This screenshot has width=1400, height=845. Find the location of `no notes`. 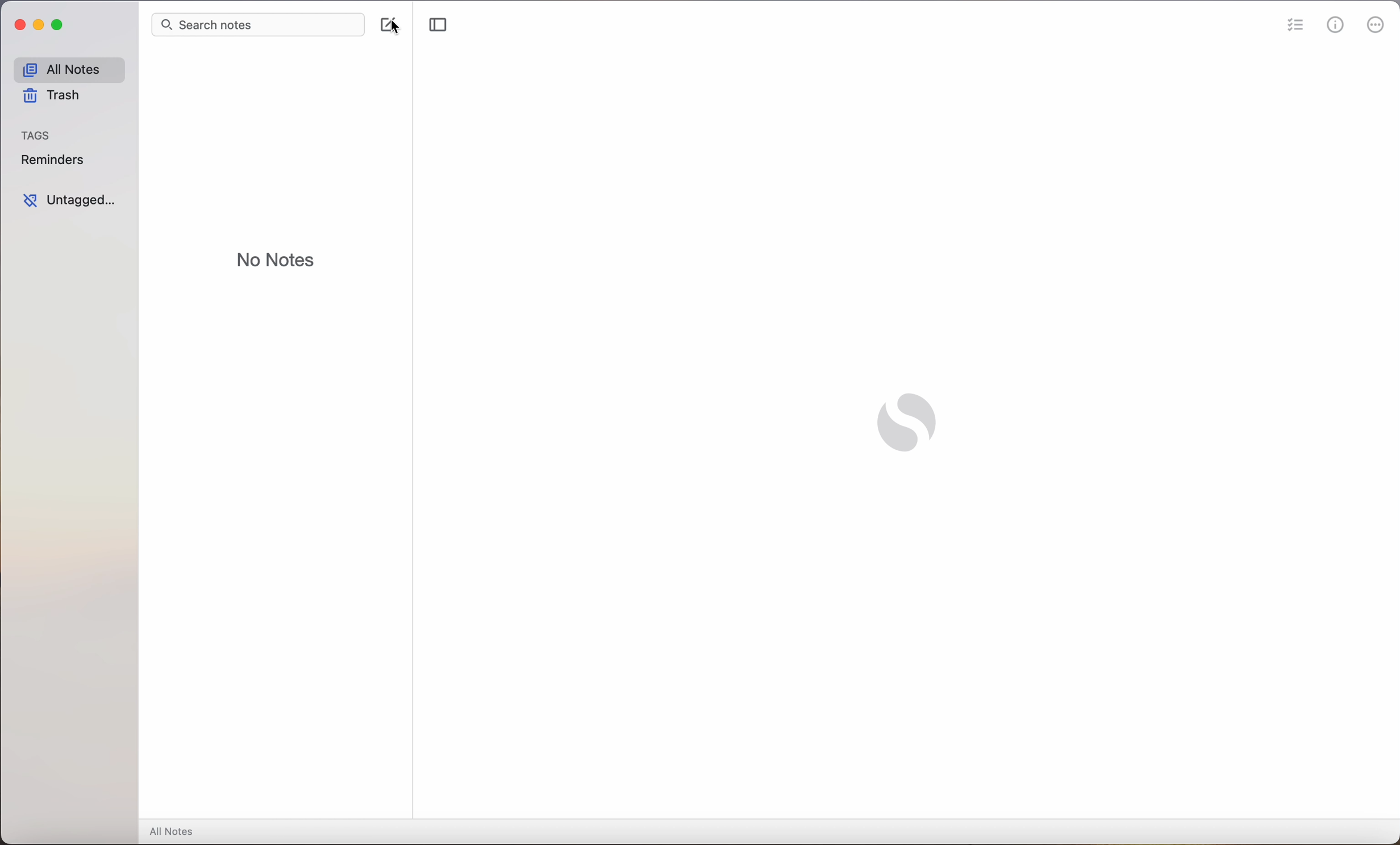

no notes is located at coordinates (273, 262).